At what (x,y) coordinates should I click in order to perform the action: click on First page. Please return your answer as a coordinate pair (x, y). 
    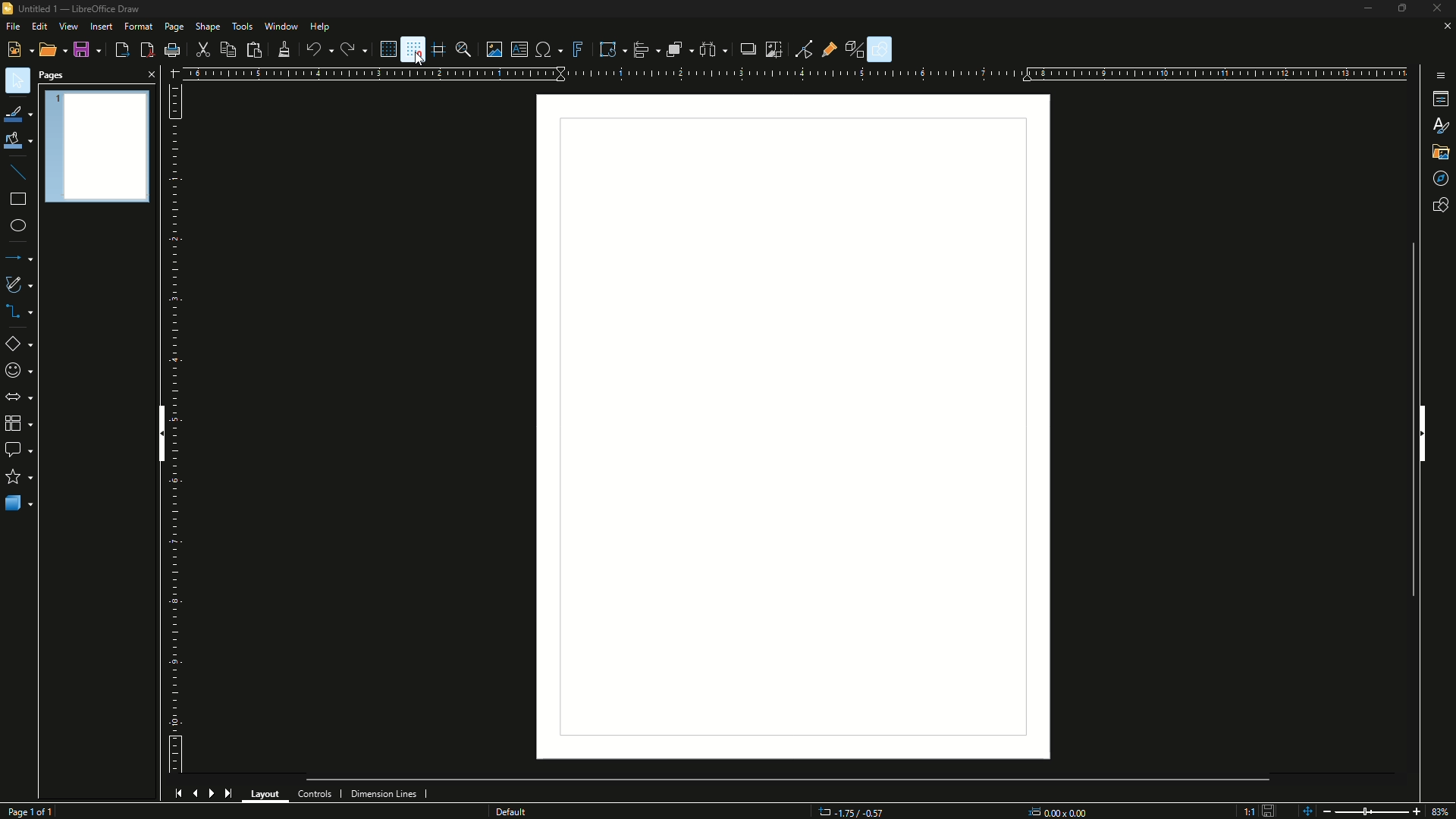
    Looking at the image, I should click on (177, 792).